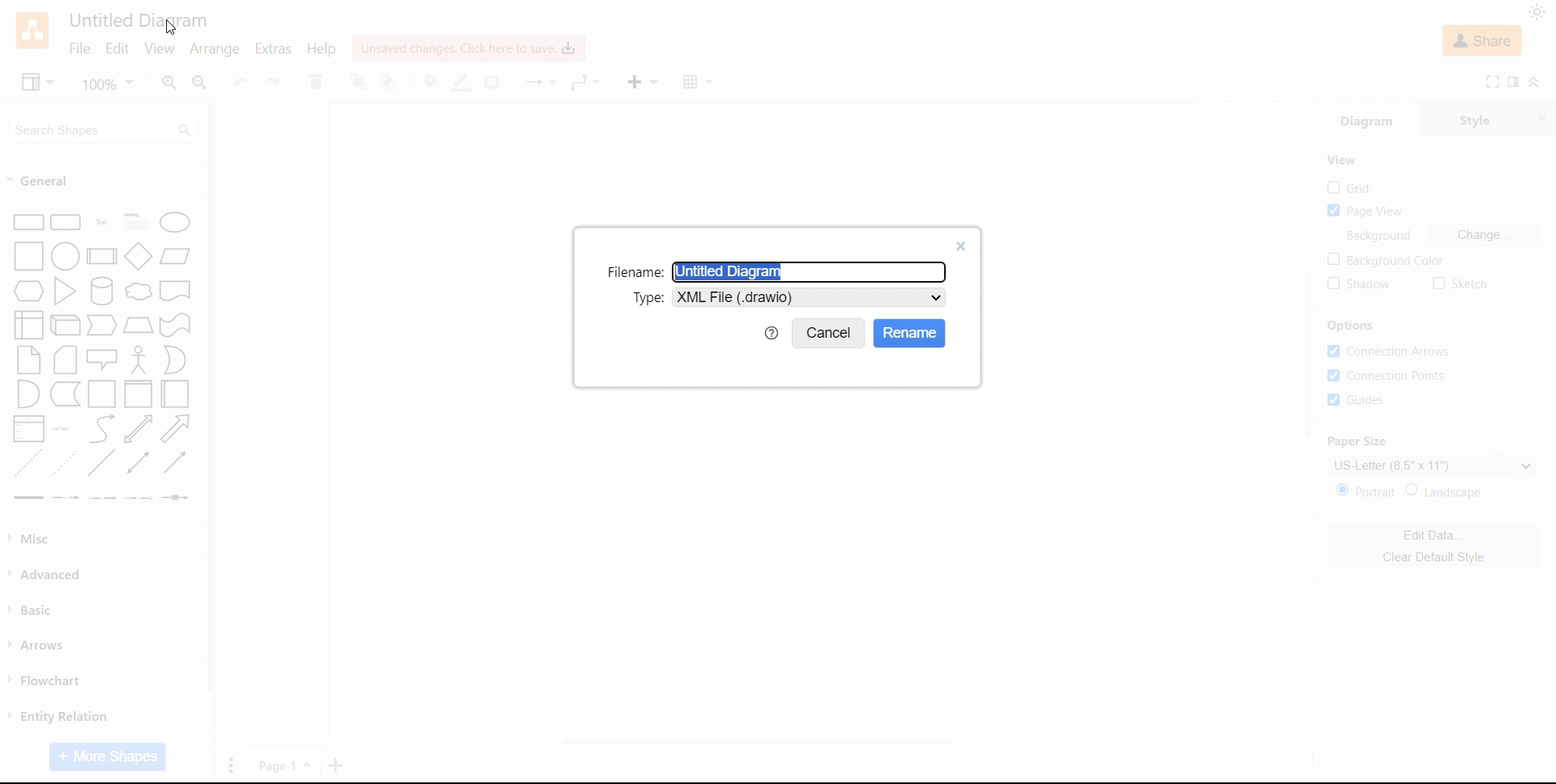 The image size is (1556, 784). What do you see at coordinates (33, 30) in the screenshot?
I see `Logo ` at bounding box center [33, 30].